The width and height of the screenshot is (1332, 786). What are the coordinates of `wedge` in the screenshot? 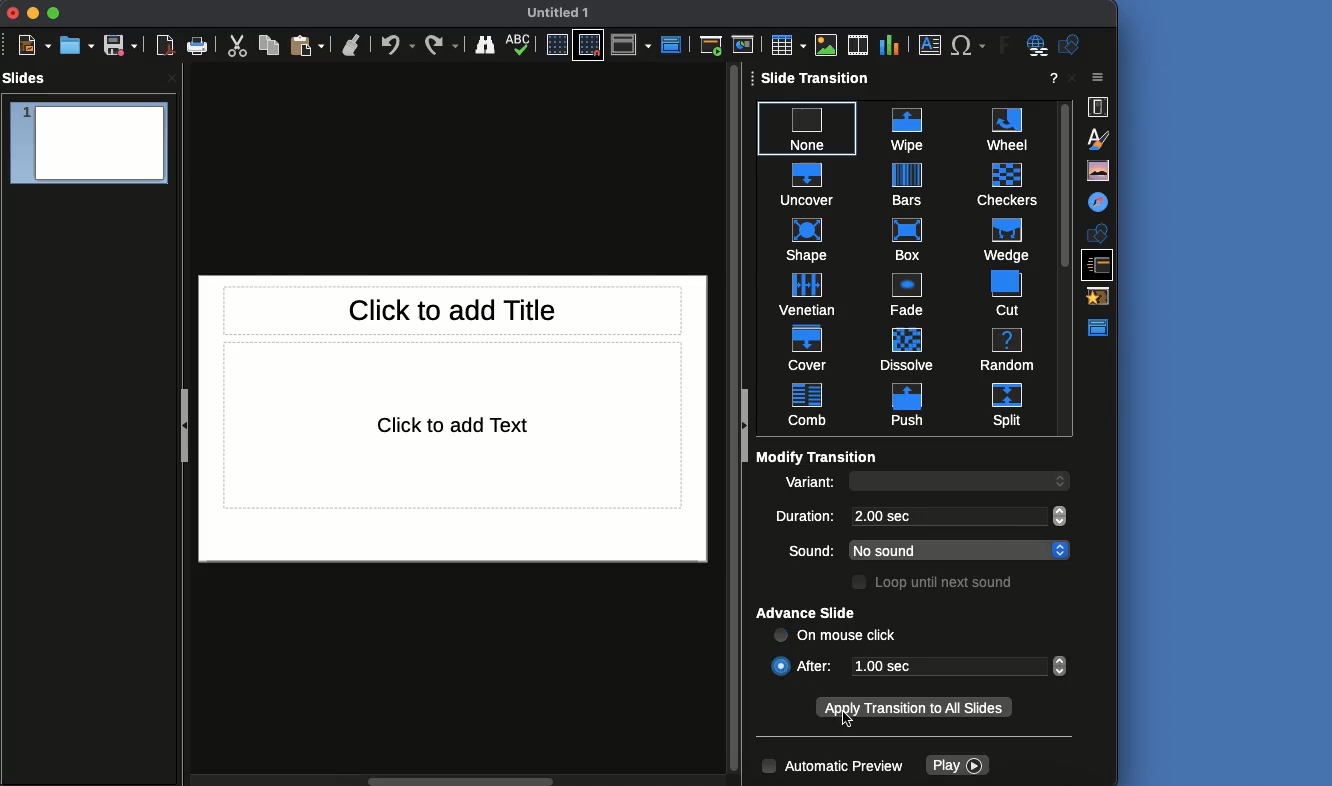 It's located at (1002, 238).